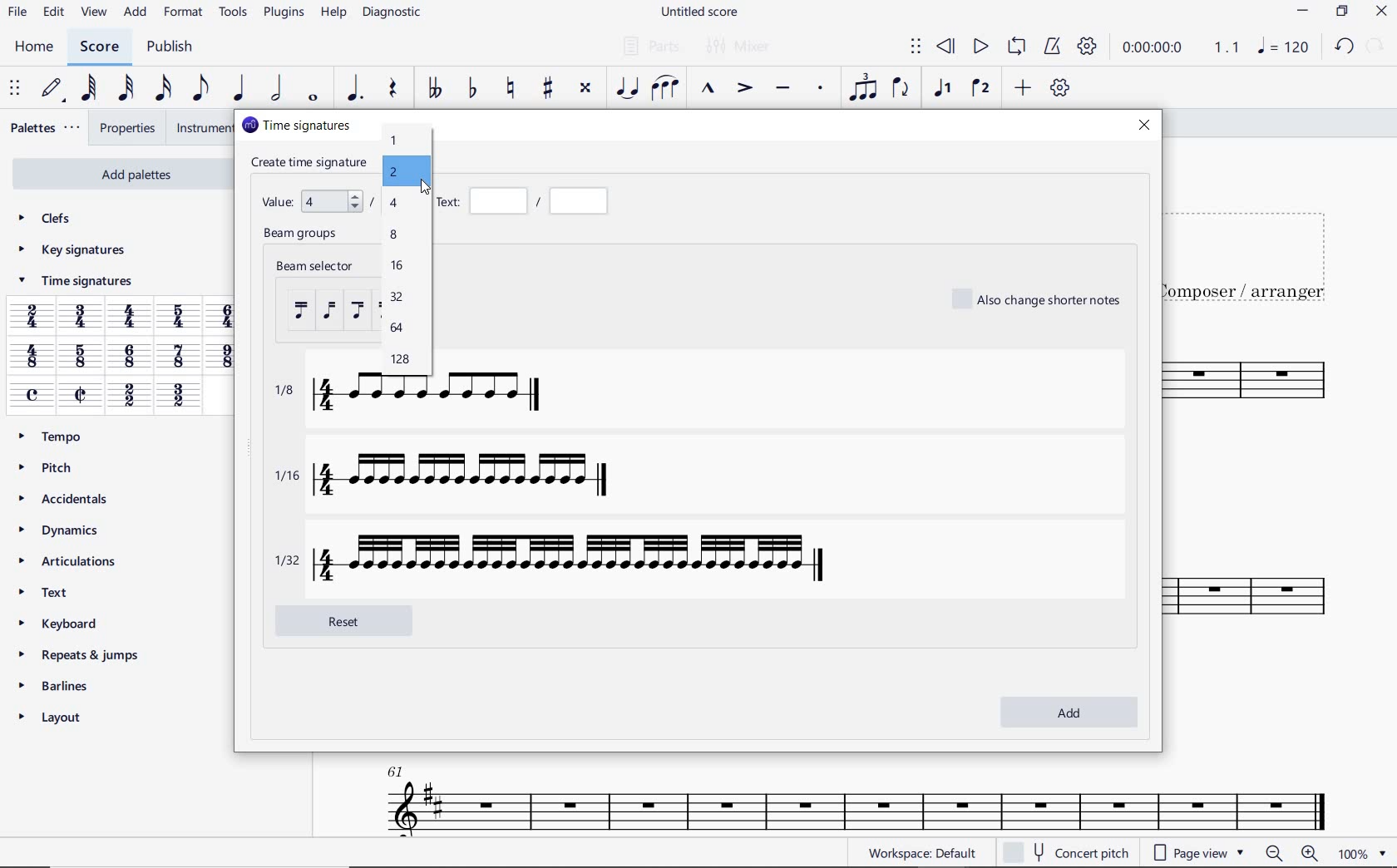 This screenshot has width=1397, height=868. Describe the element at coordinates (70, 561) in the screenshot. I see `ARTICULATIONS` at that location.